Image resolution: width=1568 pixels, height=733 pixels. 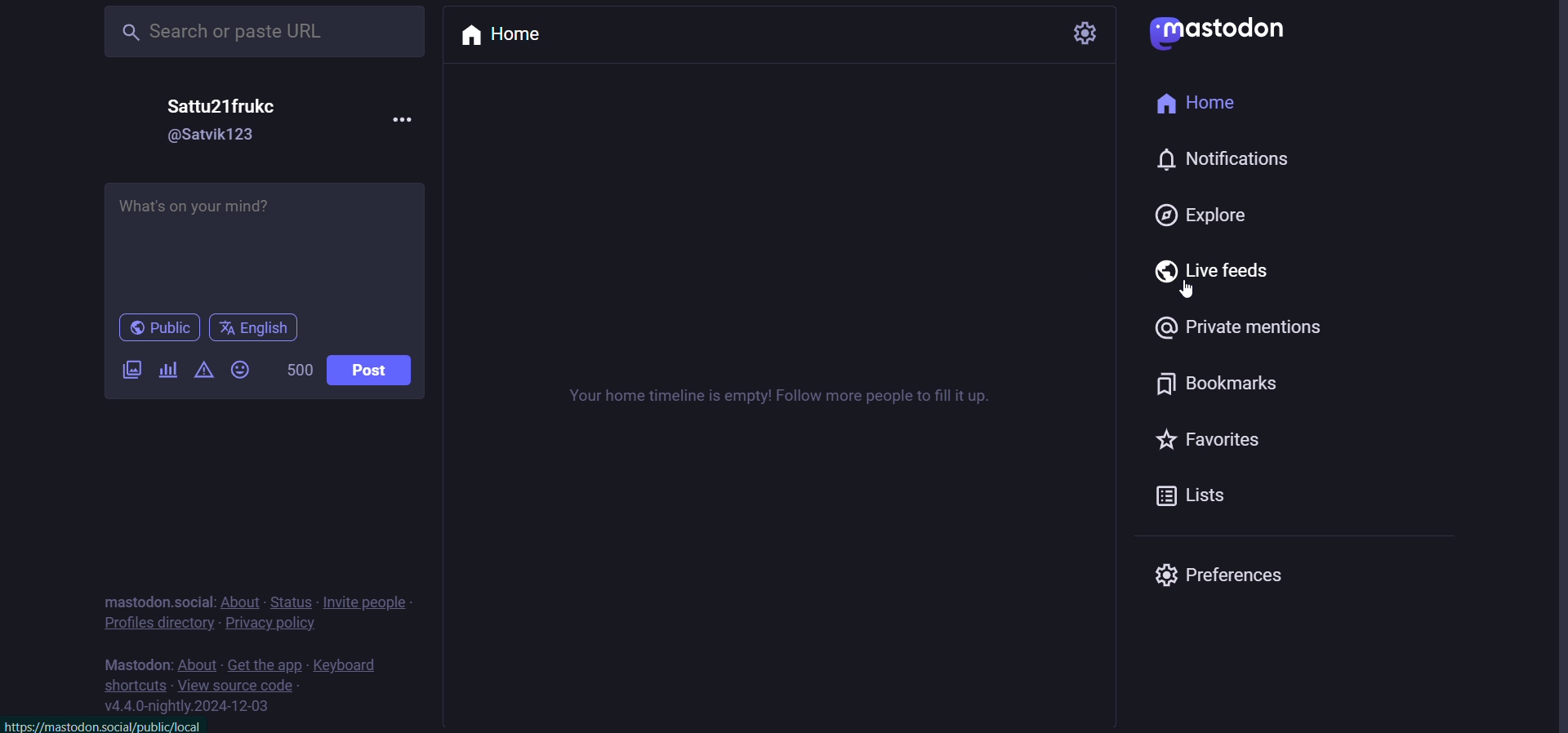 What do you see at coordinates (786, 396) in the screenshot?
I see `Your home timeline is empty! Follow more people to fill it up.` at bounding box center [786, 396].